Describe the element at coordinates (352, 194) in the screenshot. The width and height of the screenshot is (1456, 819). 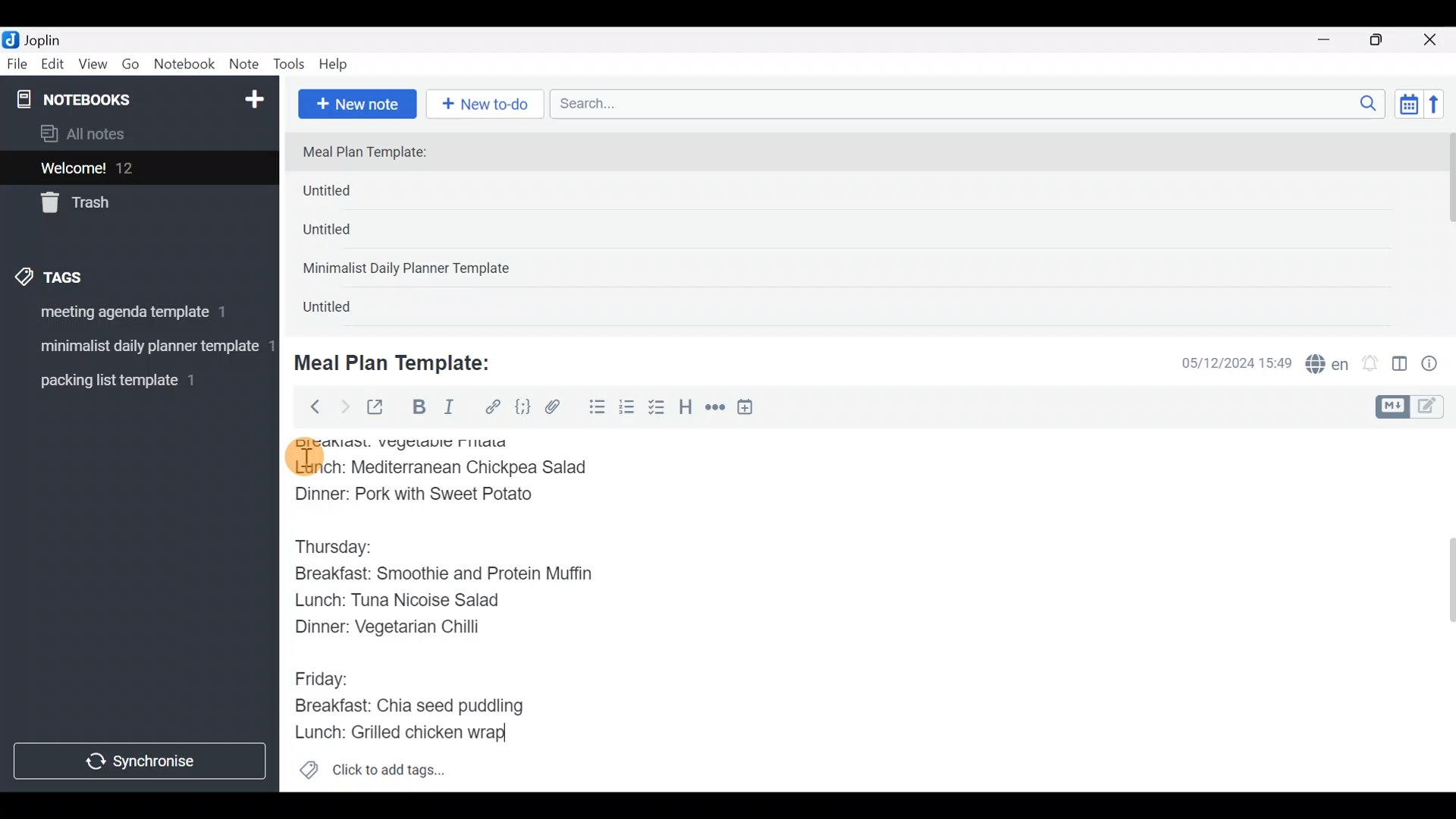
I see `Untitled` at that location.